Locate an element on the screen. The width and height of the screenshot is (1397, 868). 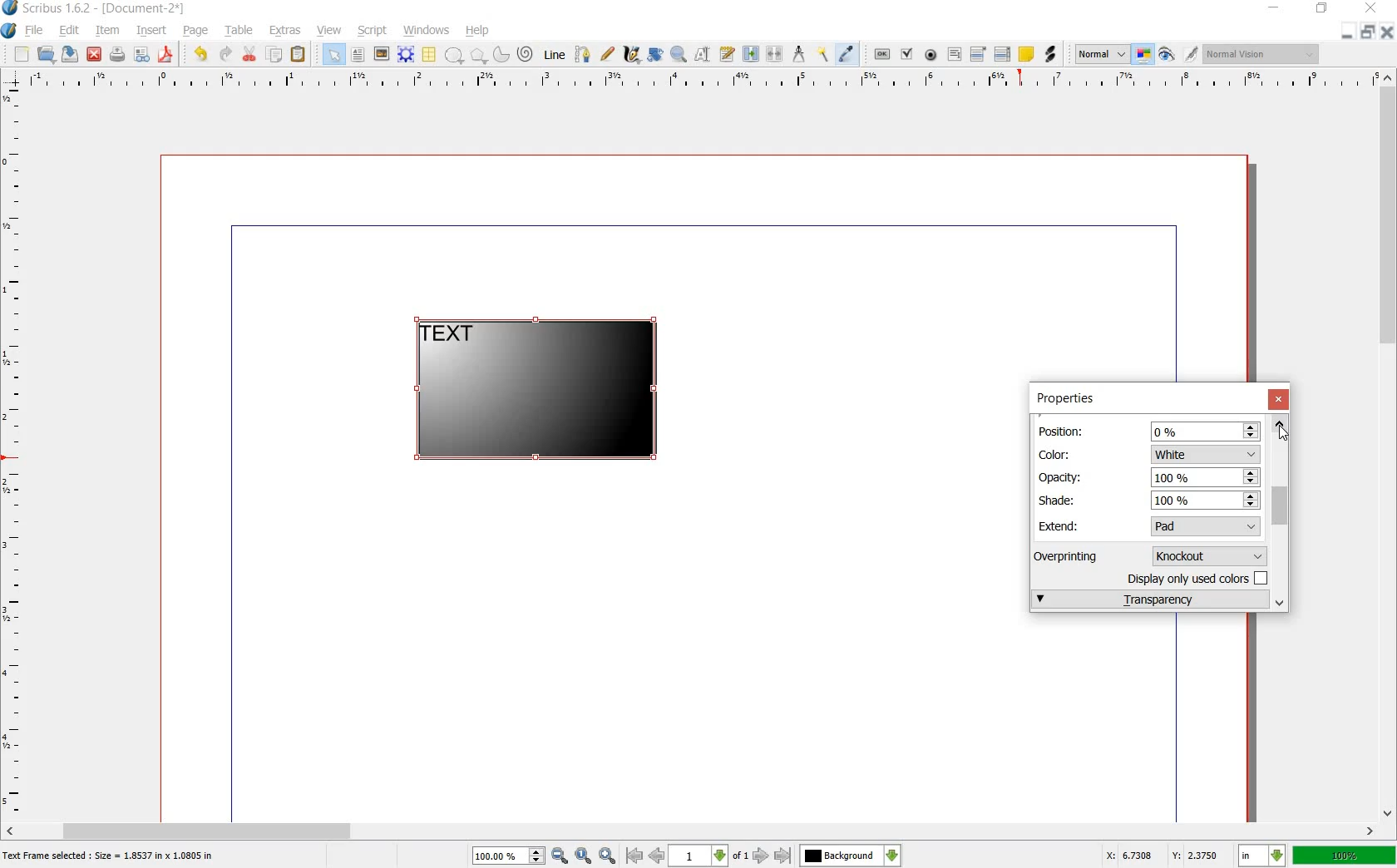
color is located at coordinates (1062, 453).